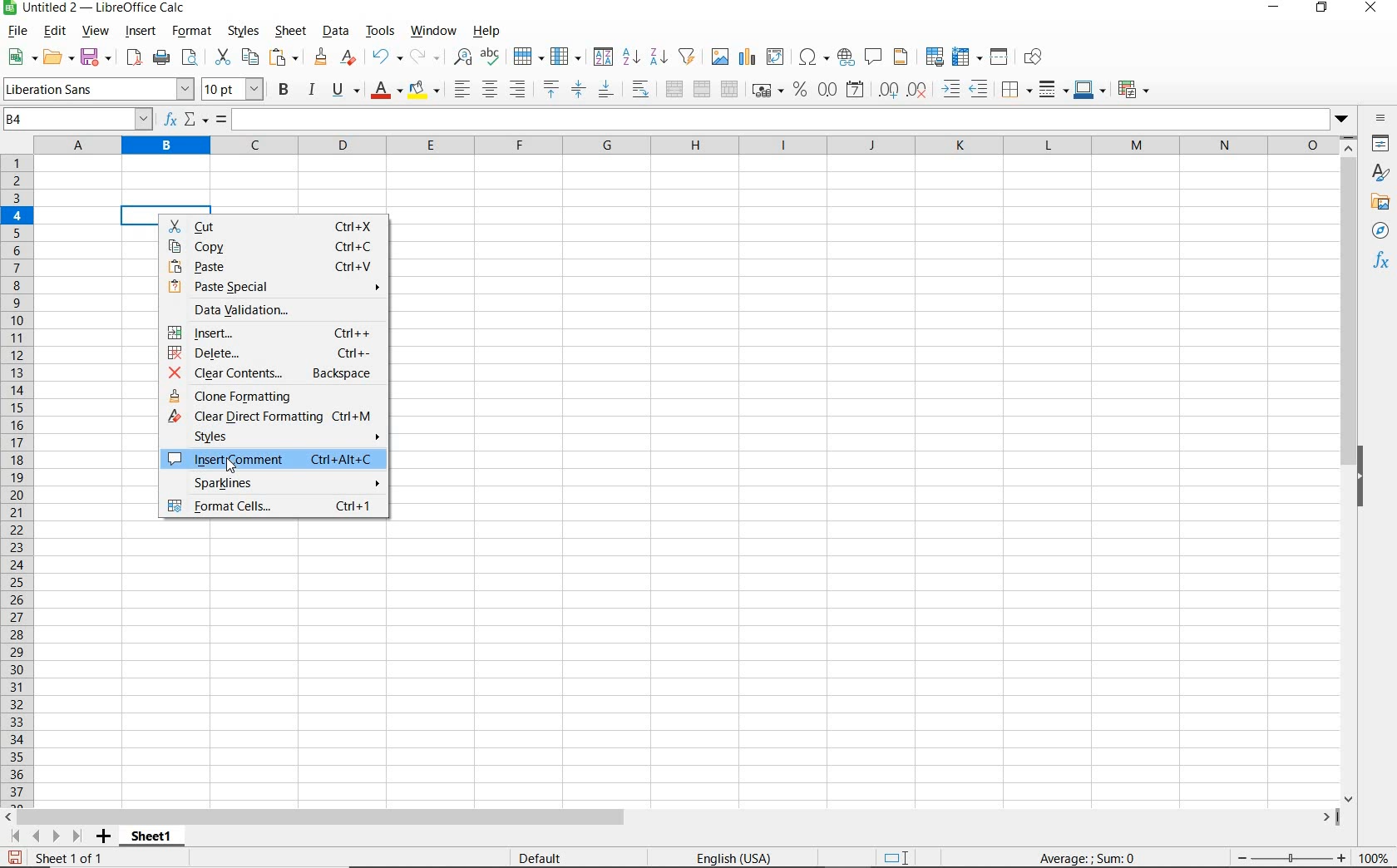 This screenshot has width=1397, height=868. What do you see at coordinates (16, 480) in the screenshot?
I see `rows` at bounding box center [16, 480].